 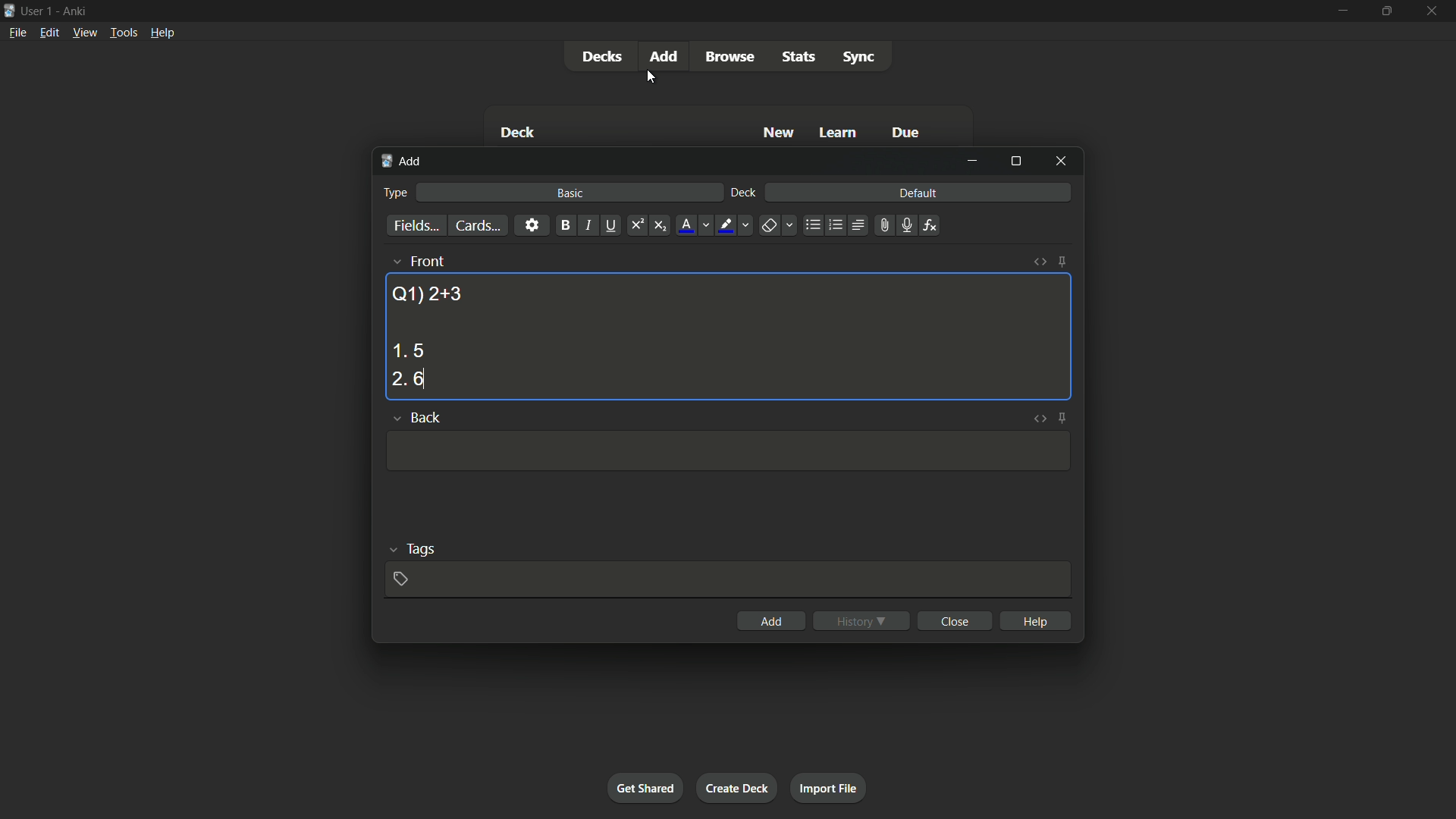 What do you see at coordinates (74, 9) in the screenshot?
I see `app name` at bounding box center [74, 9].